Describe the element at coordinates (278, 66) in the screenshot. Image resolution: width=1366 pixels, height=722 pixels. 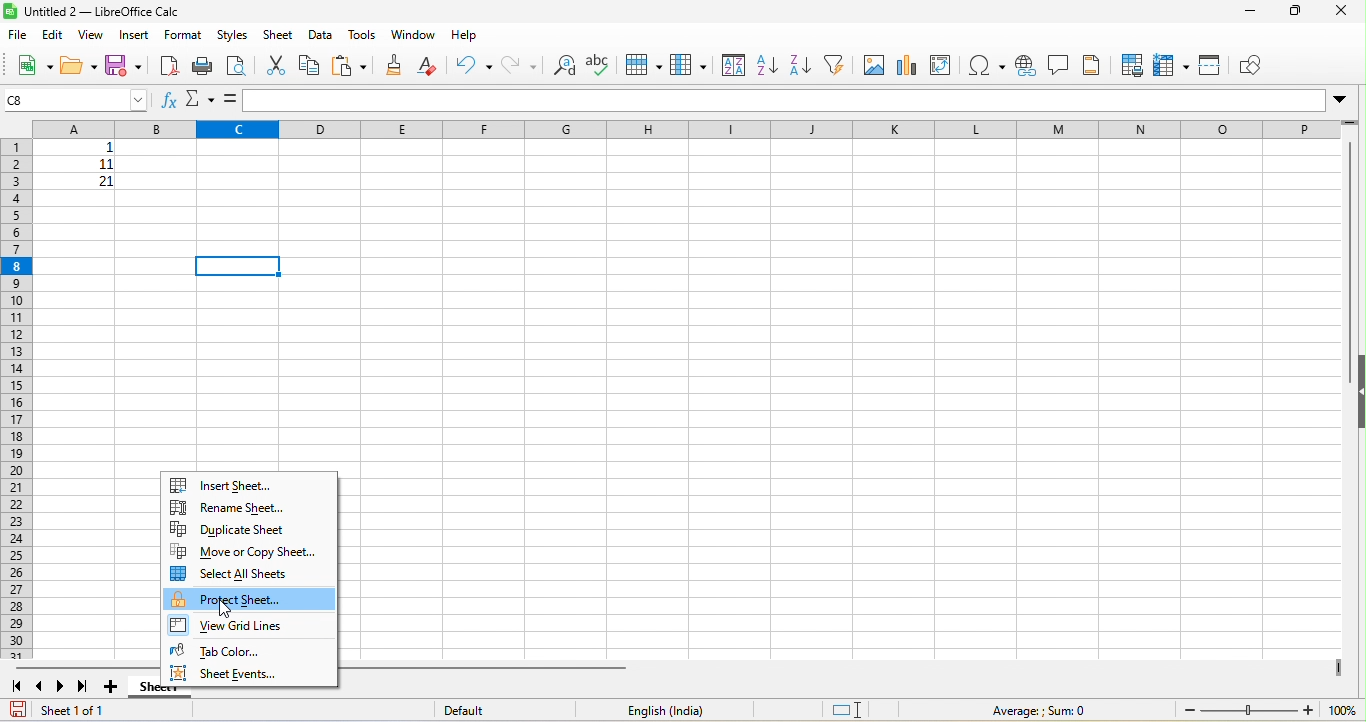
I see `cut` at that location.